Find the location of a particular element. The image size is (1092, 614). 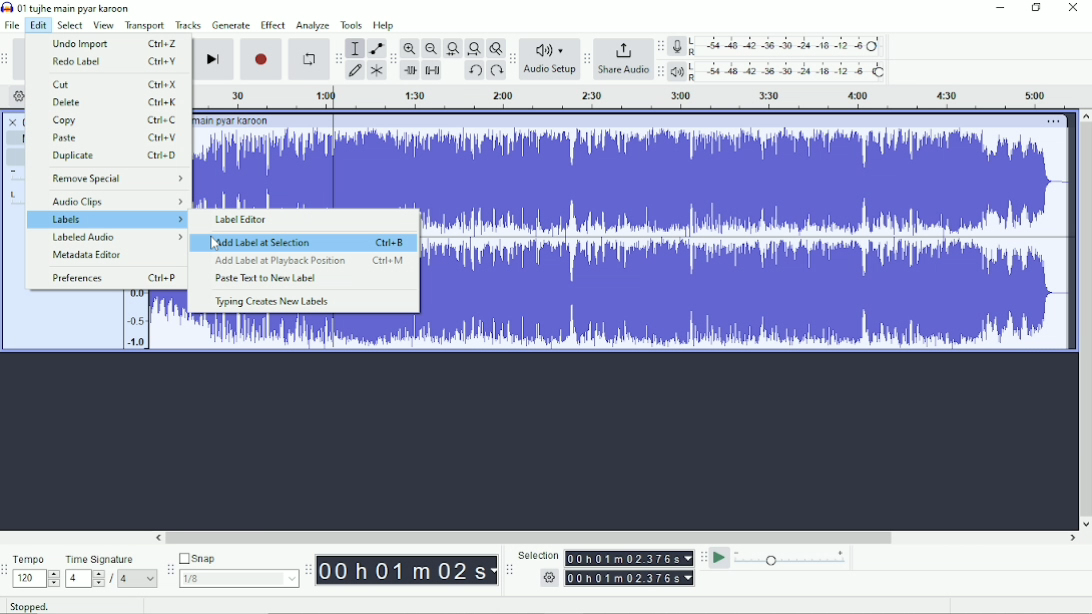

Undo Import is located at coordinates (113, 43).